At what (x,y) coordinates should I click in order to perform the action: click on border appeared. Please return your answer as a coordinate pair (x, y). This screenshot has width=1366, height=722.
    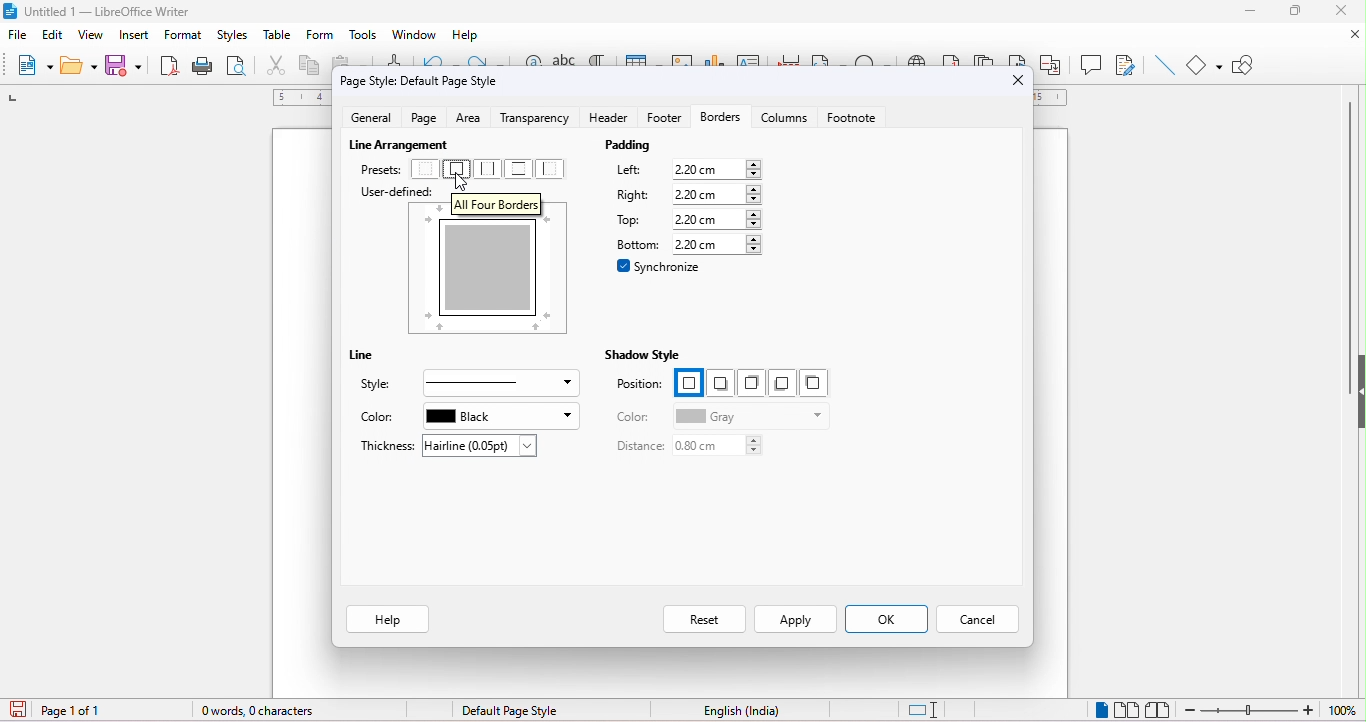
    Looking at the image, I should click on (495, 276).